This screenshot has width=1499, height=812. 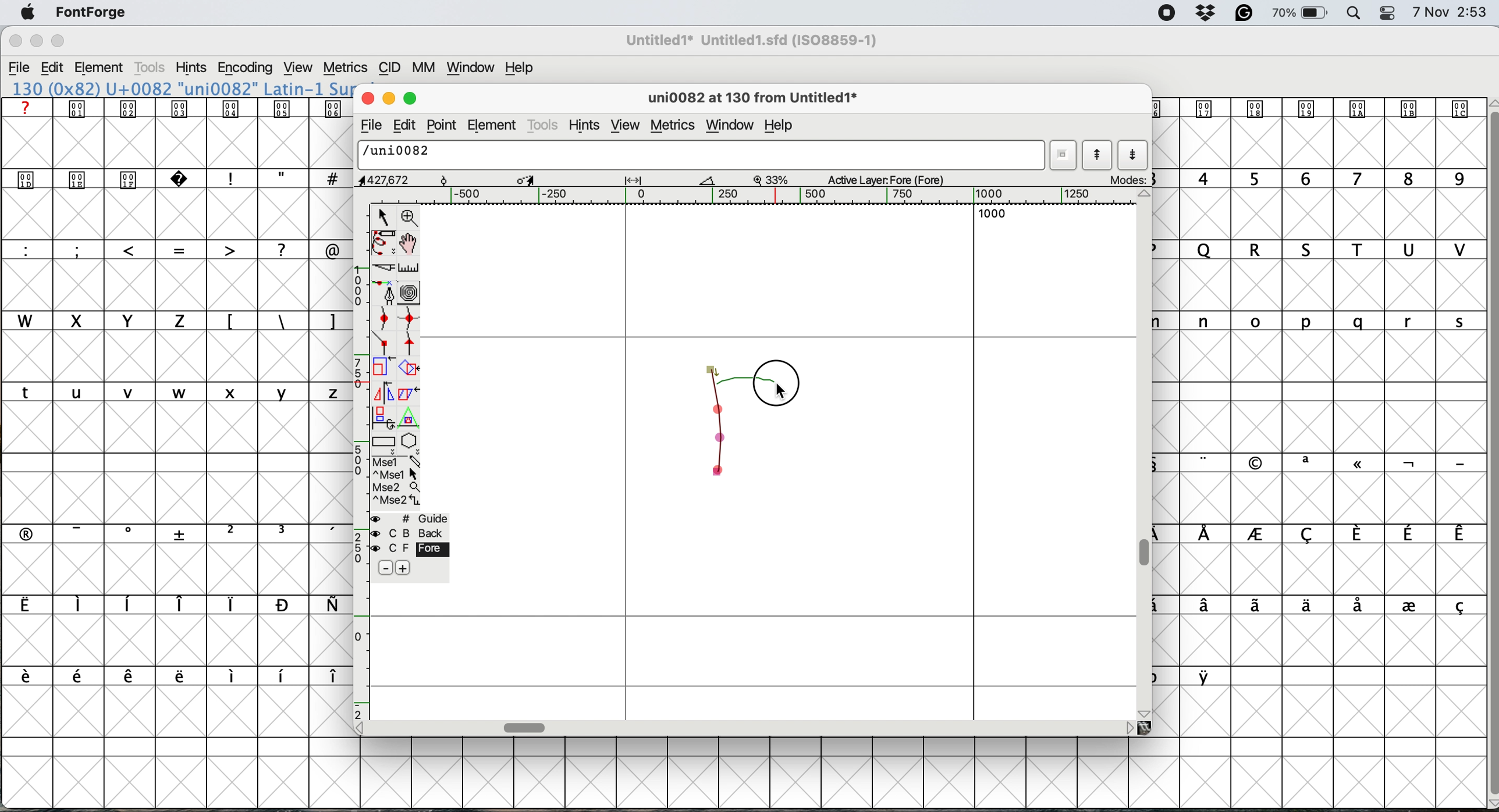 What do you see at coordinates (1319, 251) in the screenshot?
I see `uppercase letters` at bounding box center [1319, 251].